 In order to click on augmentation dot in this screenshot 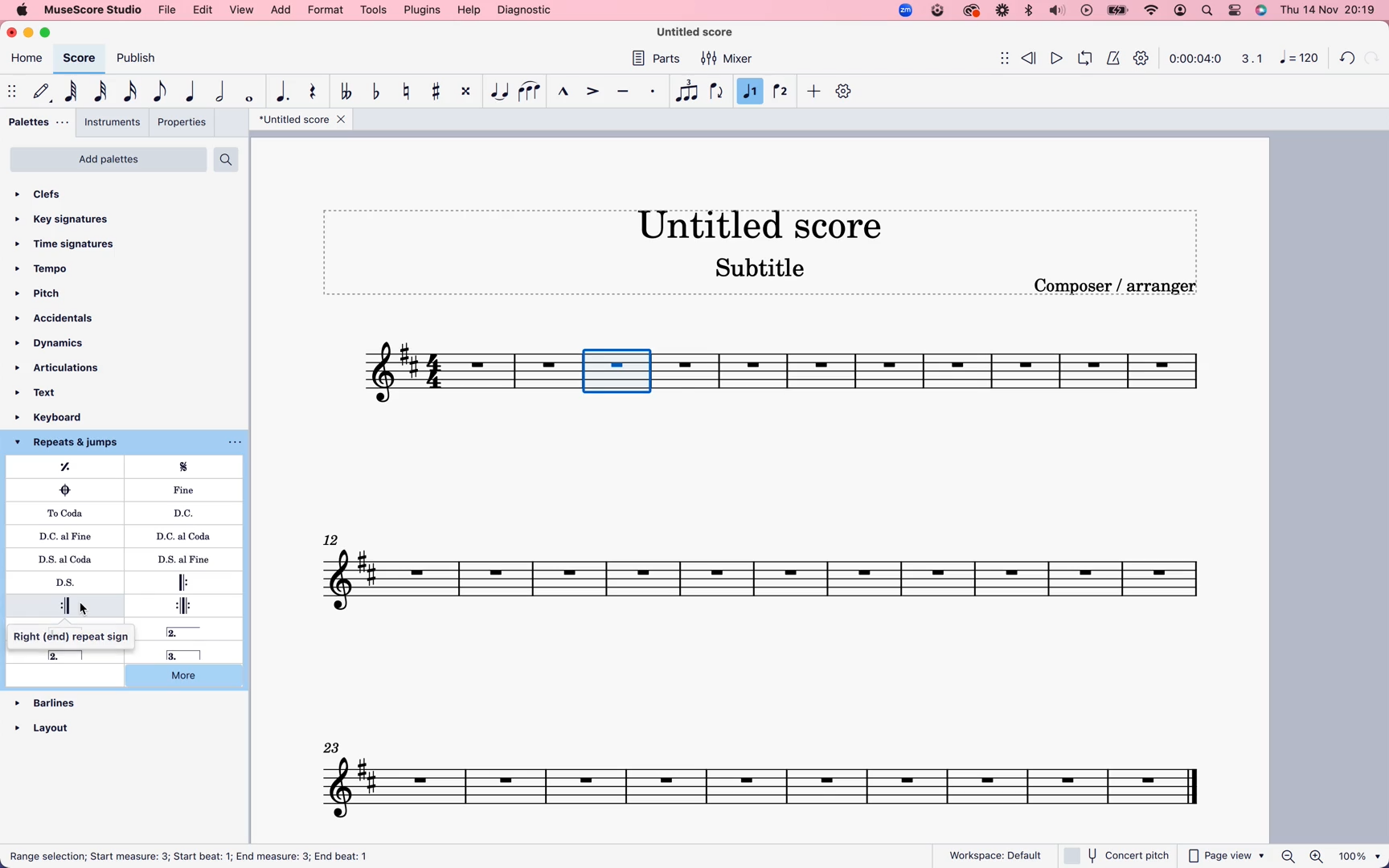, I will do `click(285, 91)`.